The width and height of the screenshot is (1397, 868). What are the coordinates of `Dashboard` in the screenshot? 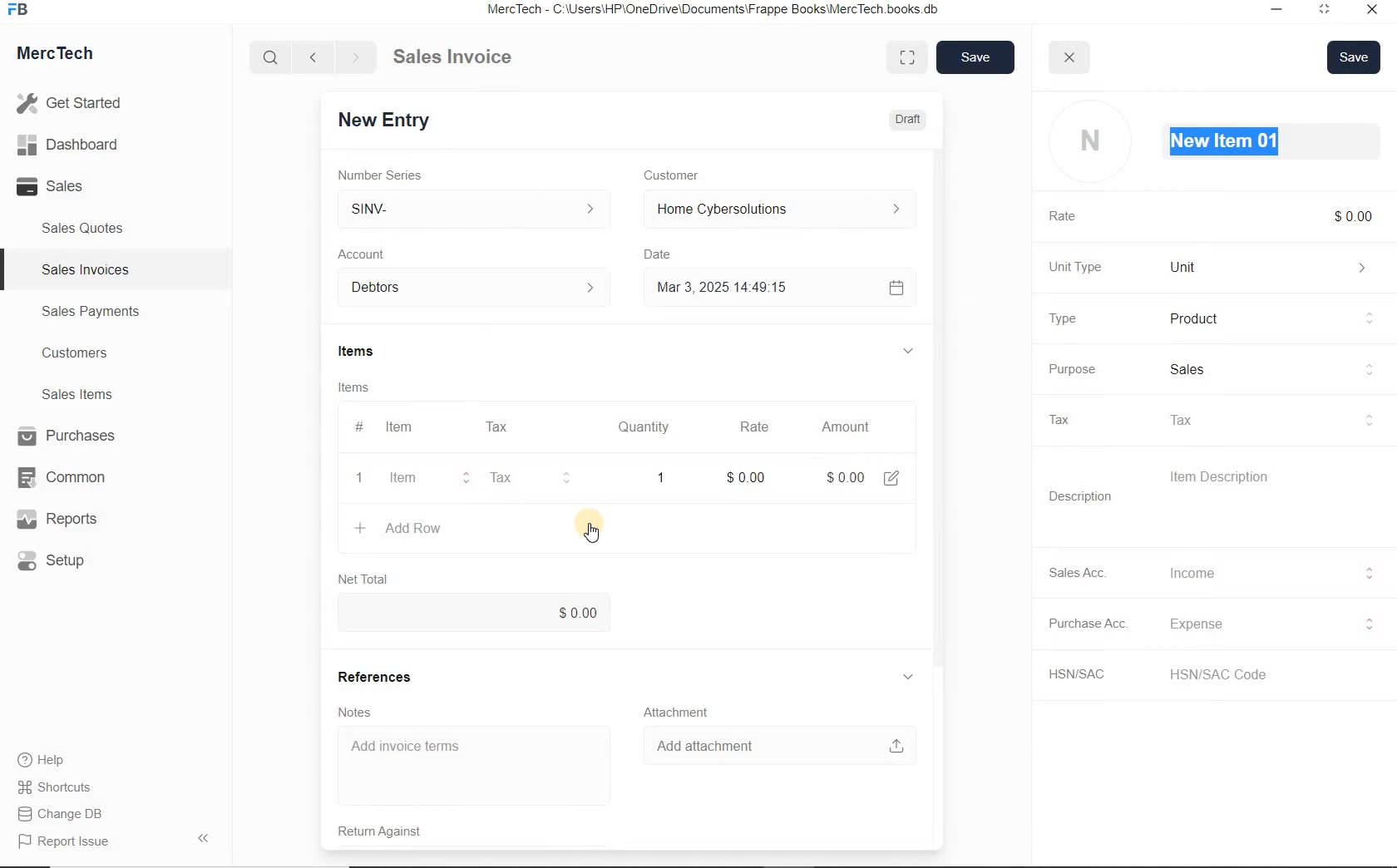 It's located at (76, 145).